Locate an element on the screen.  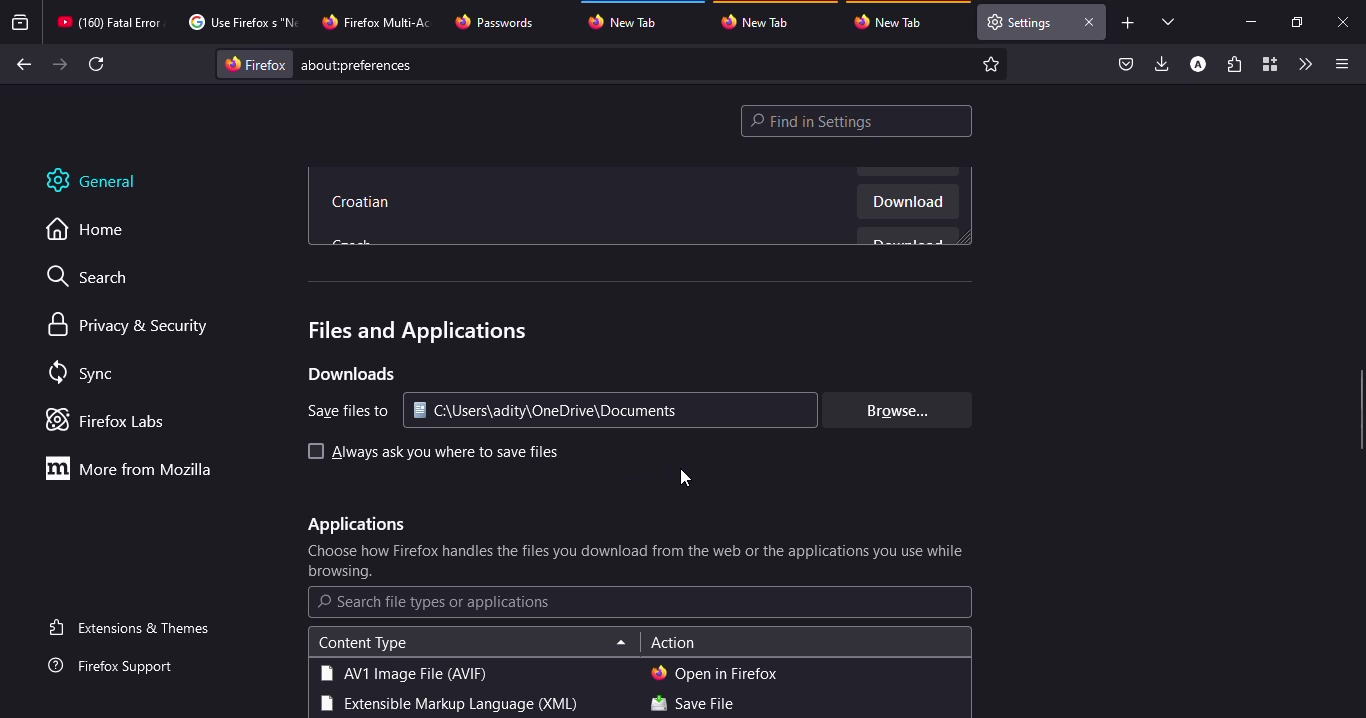
refresh is located at coordinates (98, 64).